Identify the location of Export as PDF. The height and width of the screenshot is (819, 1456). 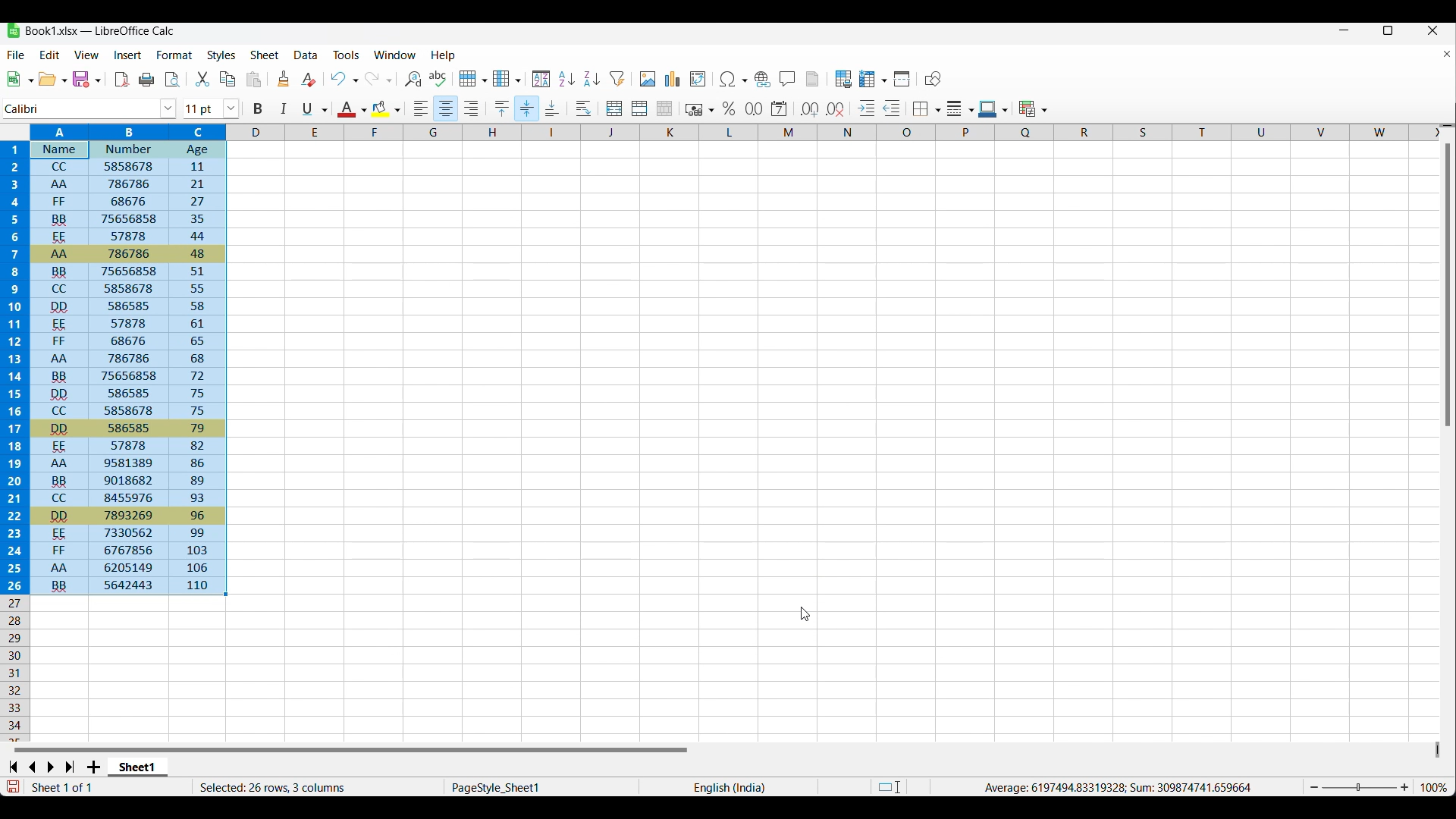
(123, 80).